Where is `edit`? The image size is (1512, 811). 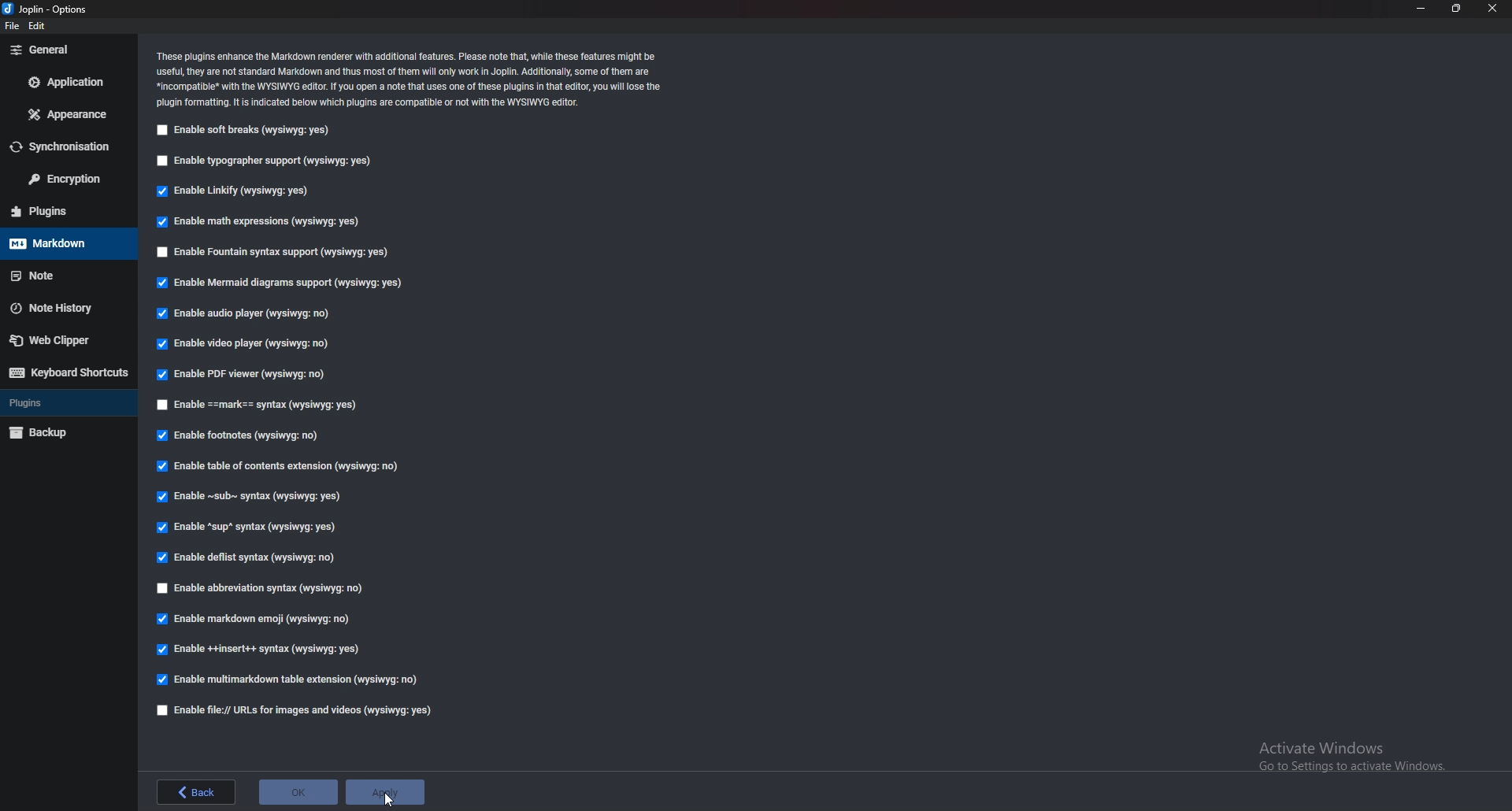
edit is located at coordinates (38, 27).